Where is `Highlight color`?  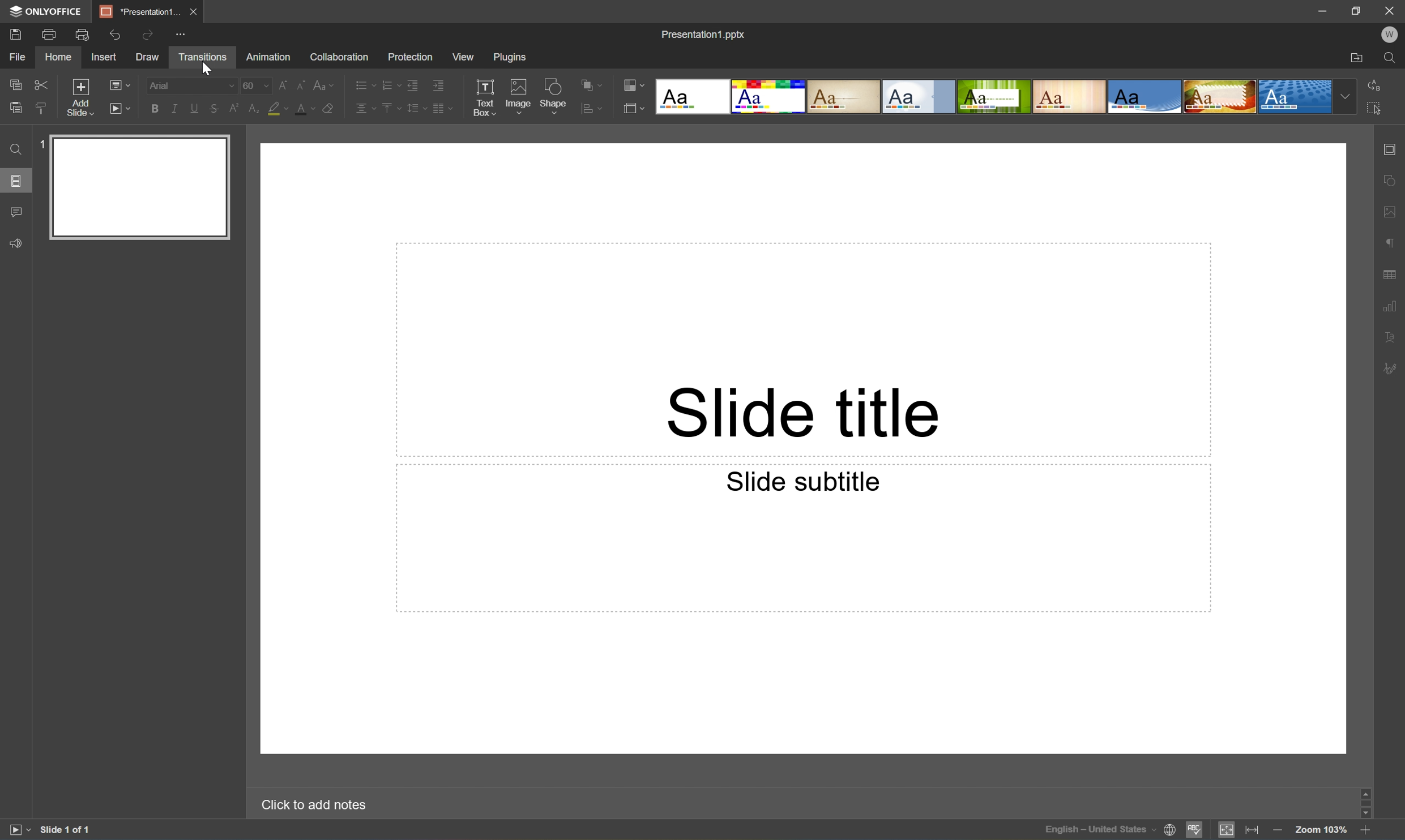
Highlight color is located at coordinates (279, 108).